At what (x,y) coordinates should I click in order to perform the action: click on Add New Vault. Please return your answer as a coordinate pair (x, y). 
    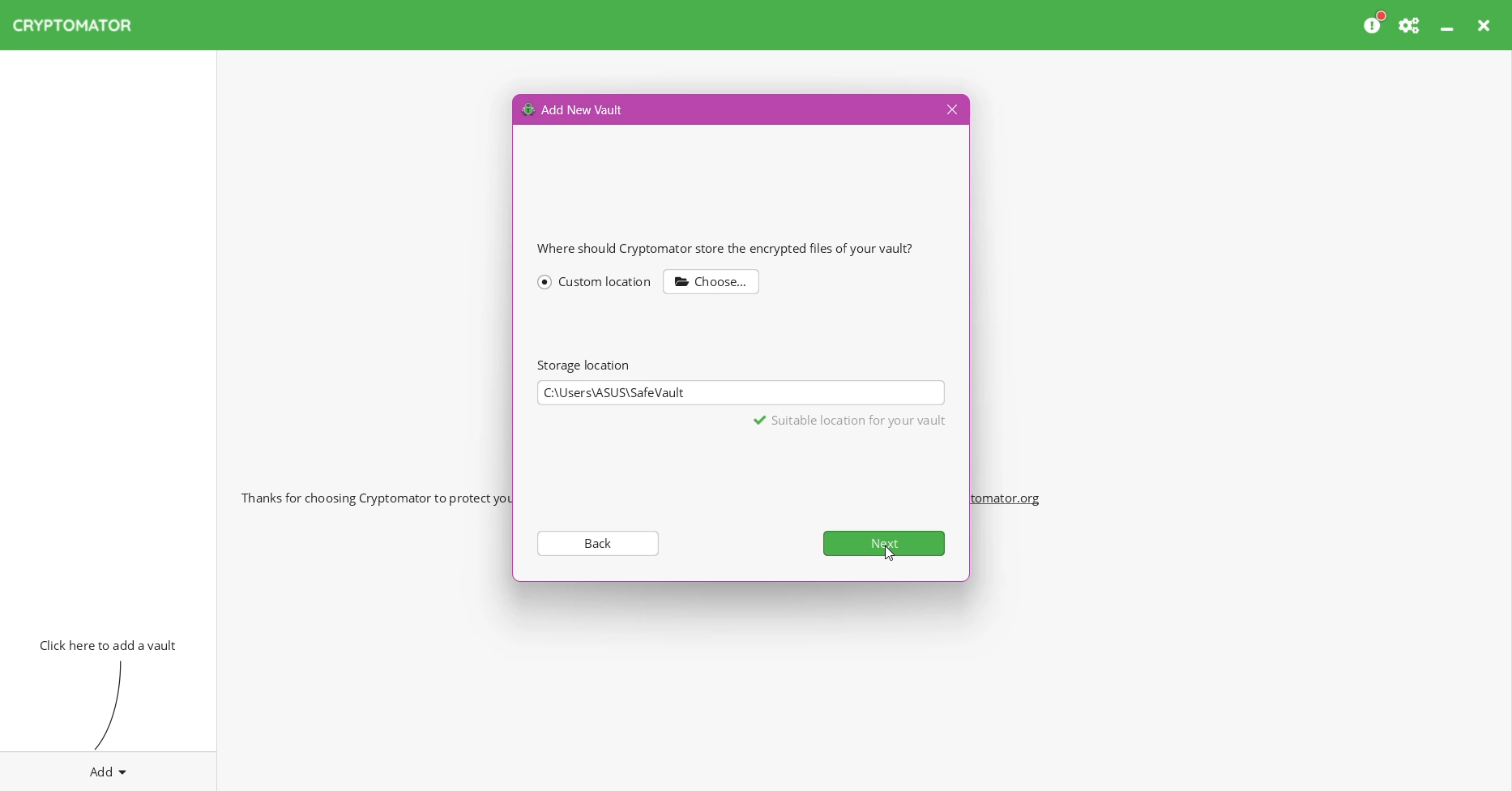
    Looking at the image, I should click on (574, 109).